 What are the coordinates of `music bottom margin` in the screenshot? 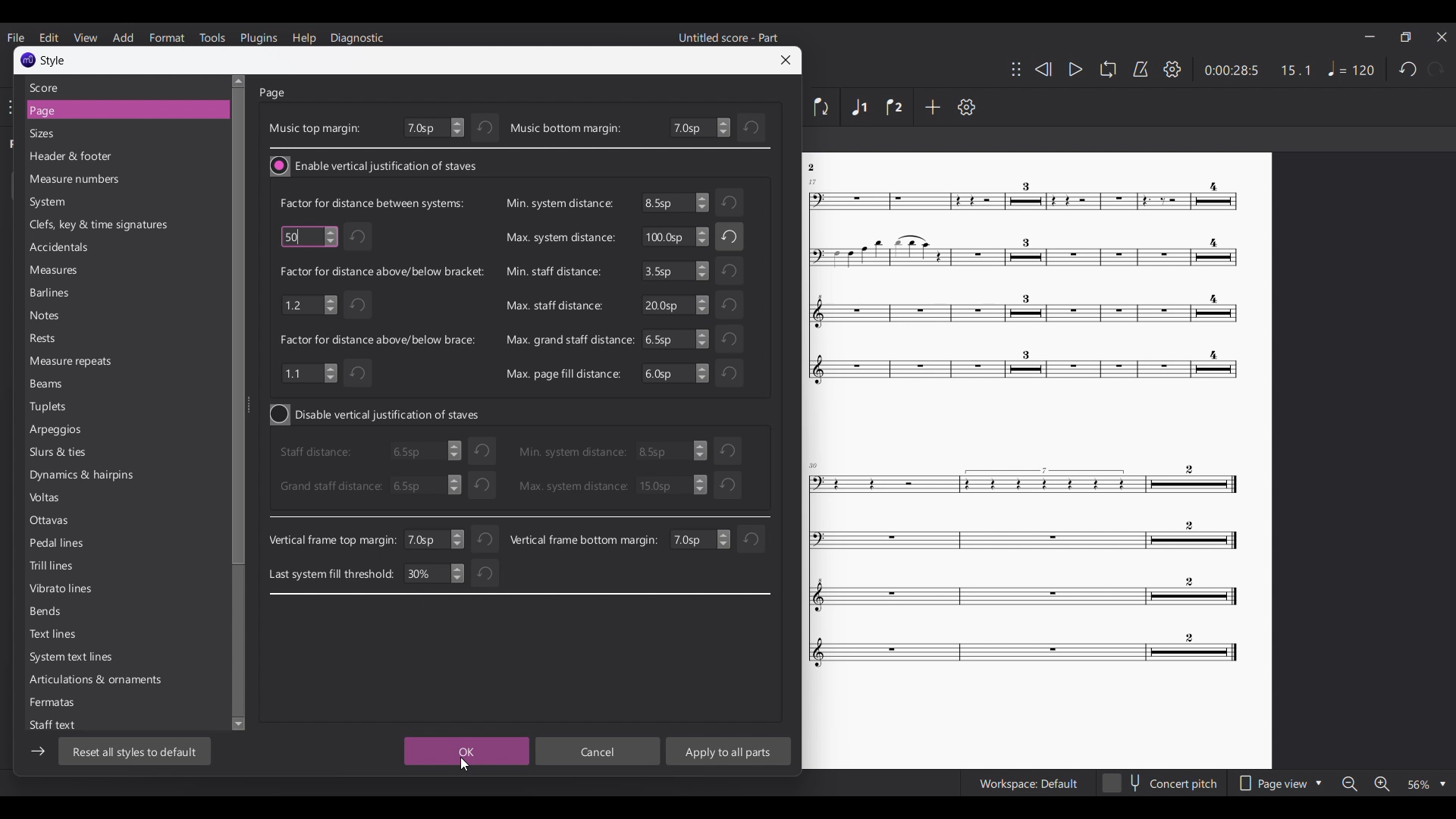 It's located at (566, 129).